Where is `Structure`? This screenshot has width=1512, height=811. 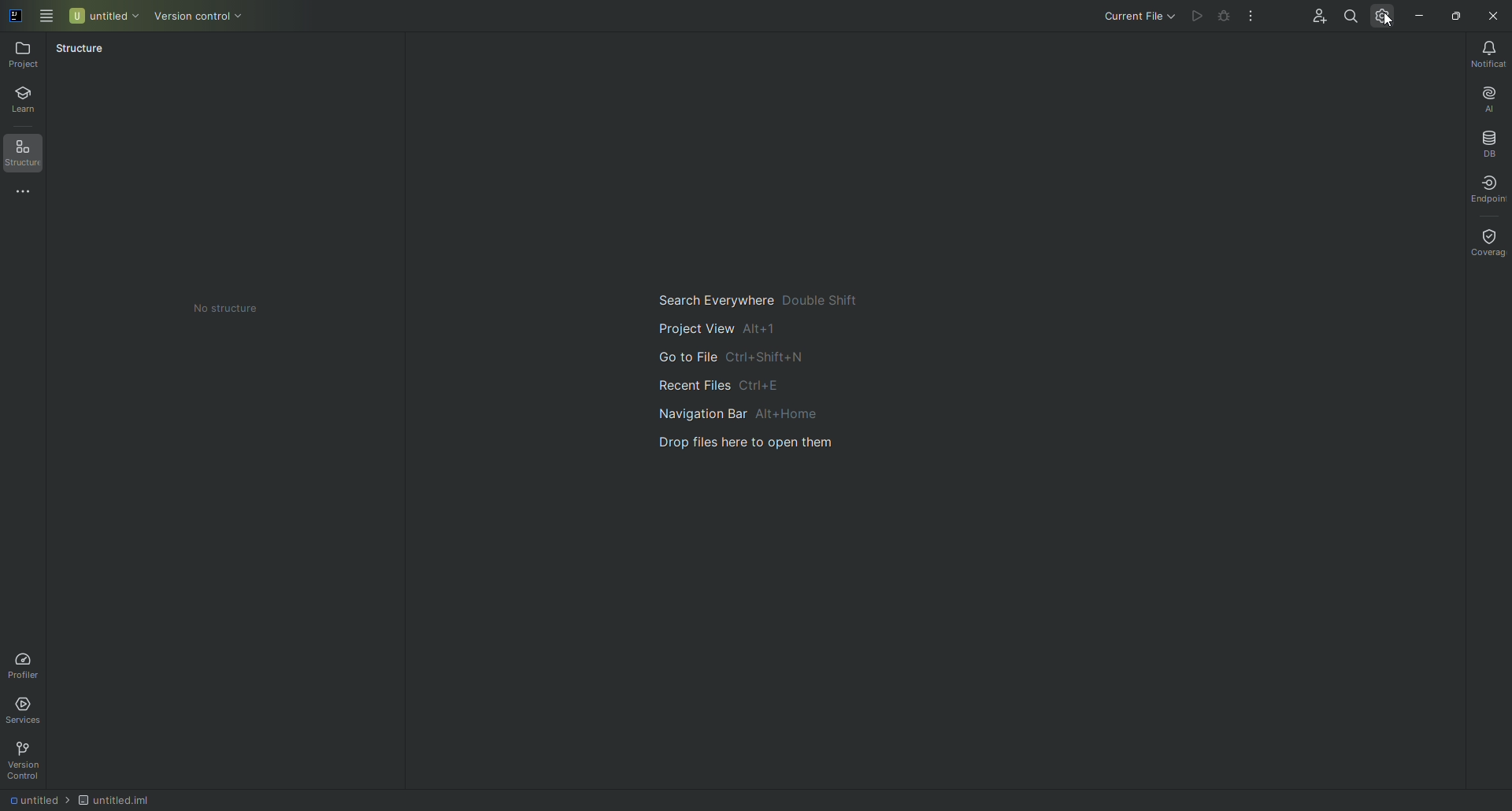
Structure is located at coordinates (88, 52).